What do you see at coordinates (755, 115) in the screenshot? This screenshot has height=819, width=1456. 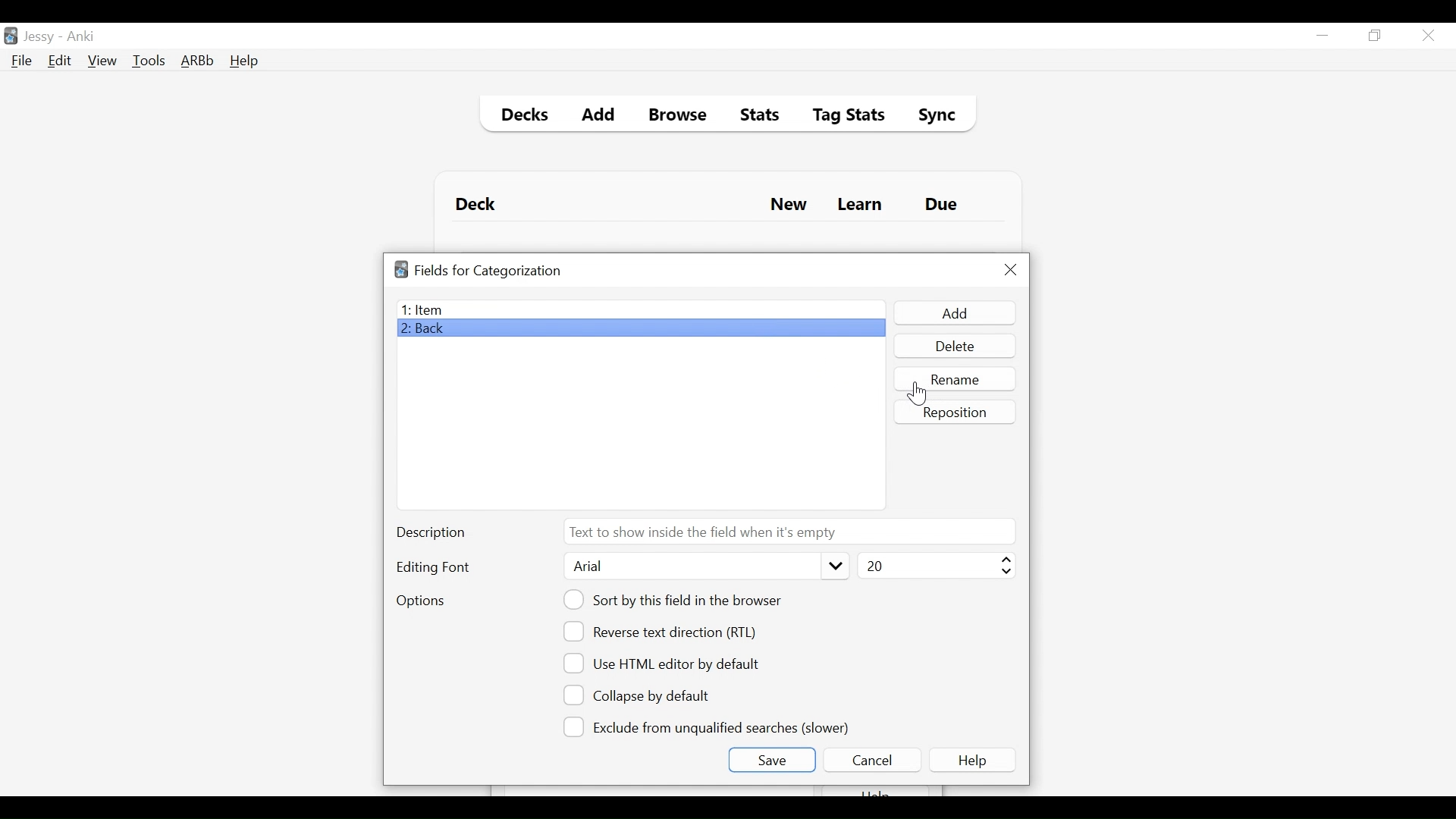 I see `Stats` at bounding box center [755, 115].